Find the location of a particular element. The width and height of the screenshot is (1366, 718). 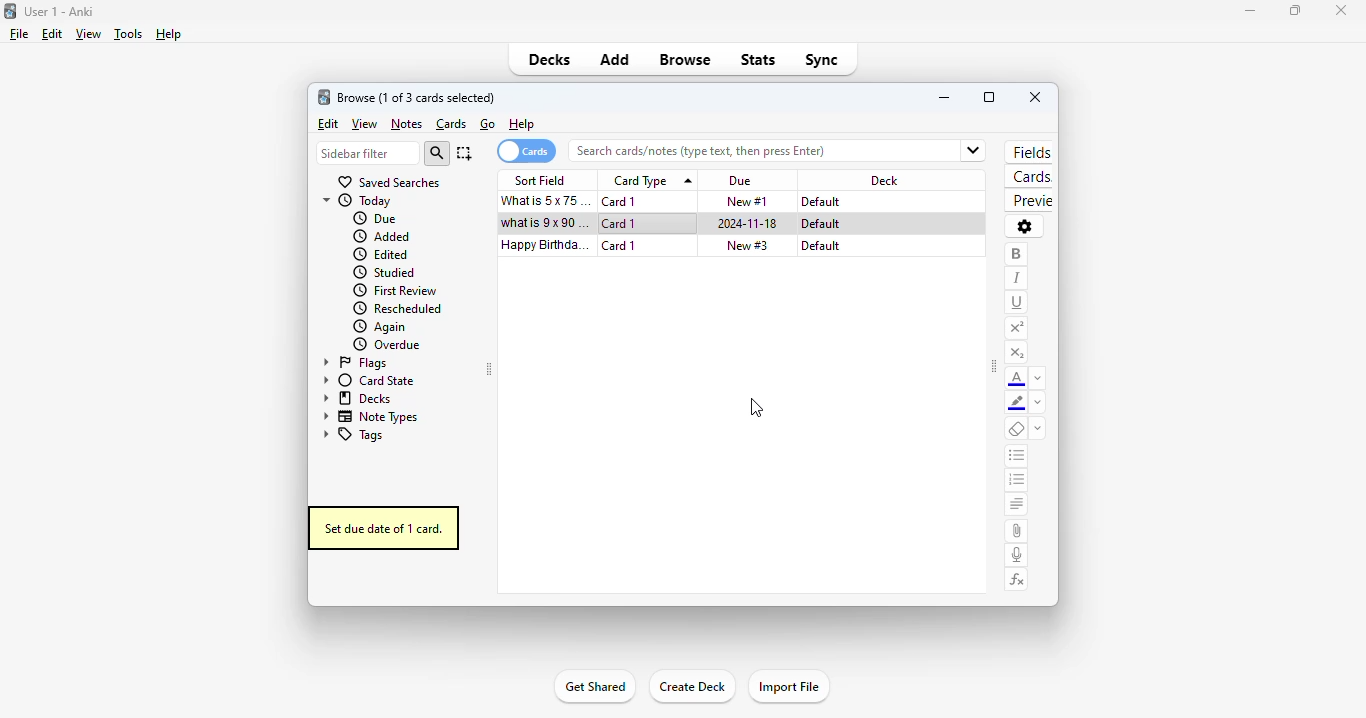

added is located at coordinates (382, 236).